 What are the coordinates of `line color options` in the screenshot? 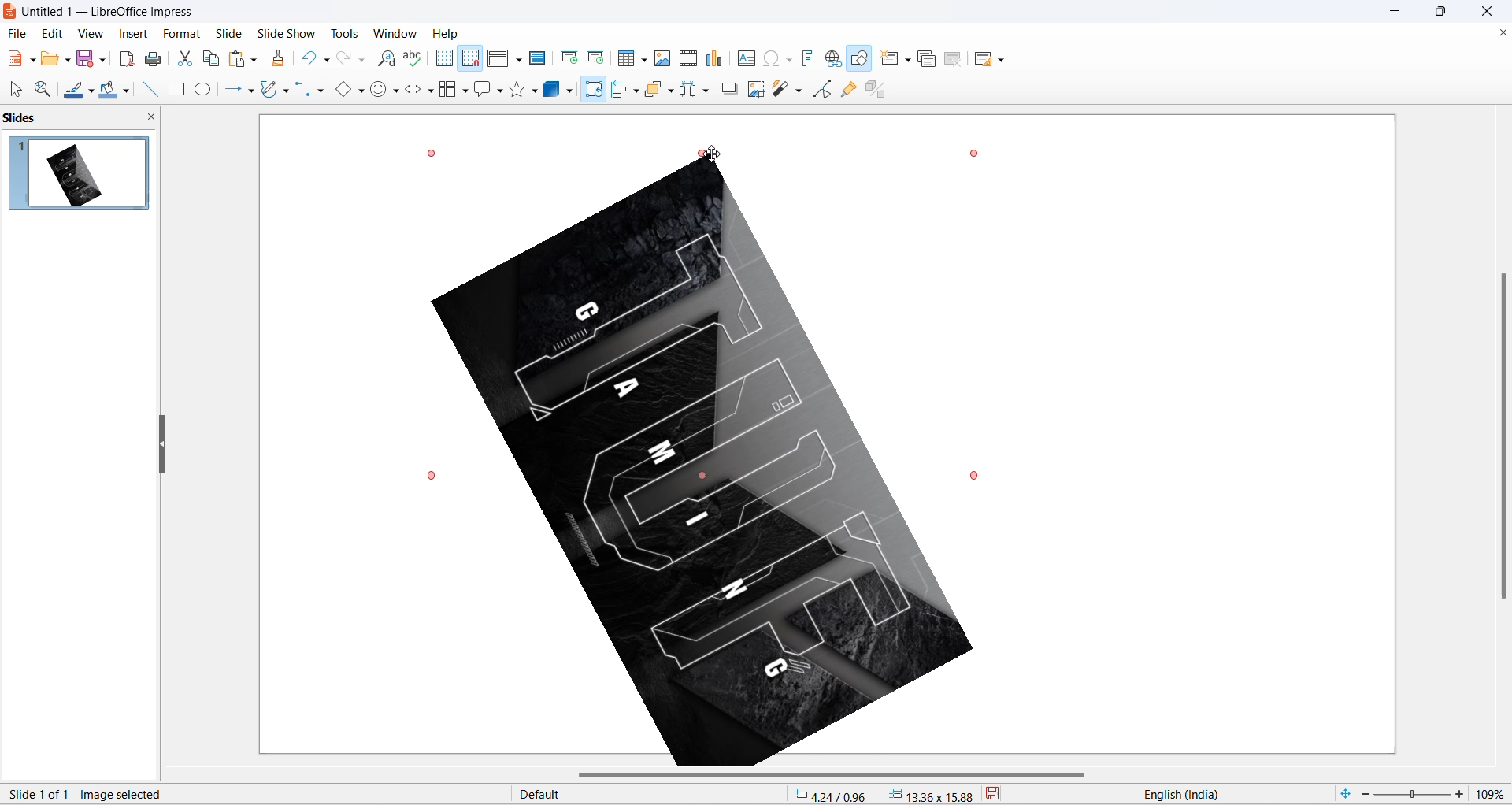 It's located at (91, 95).